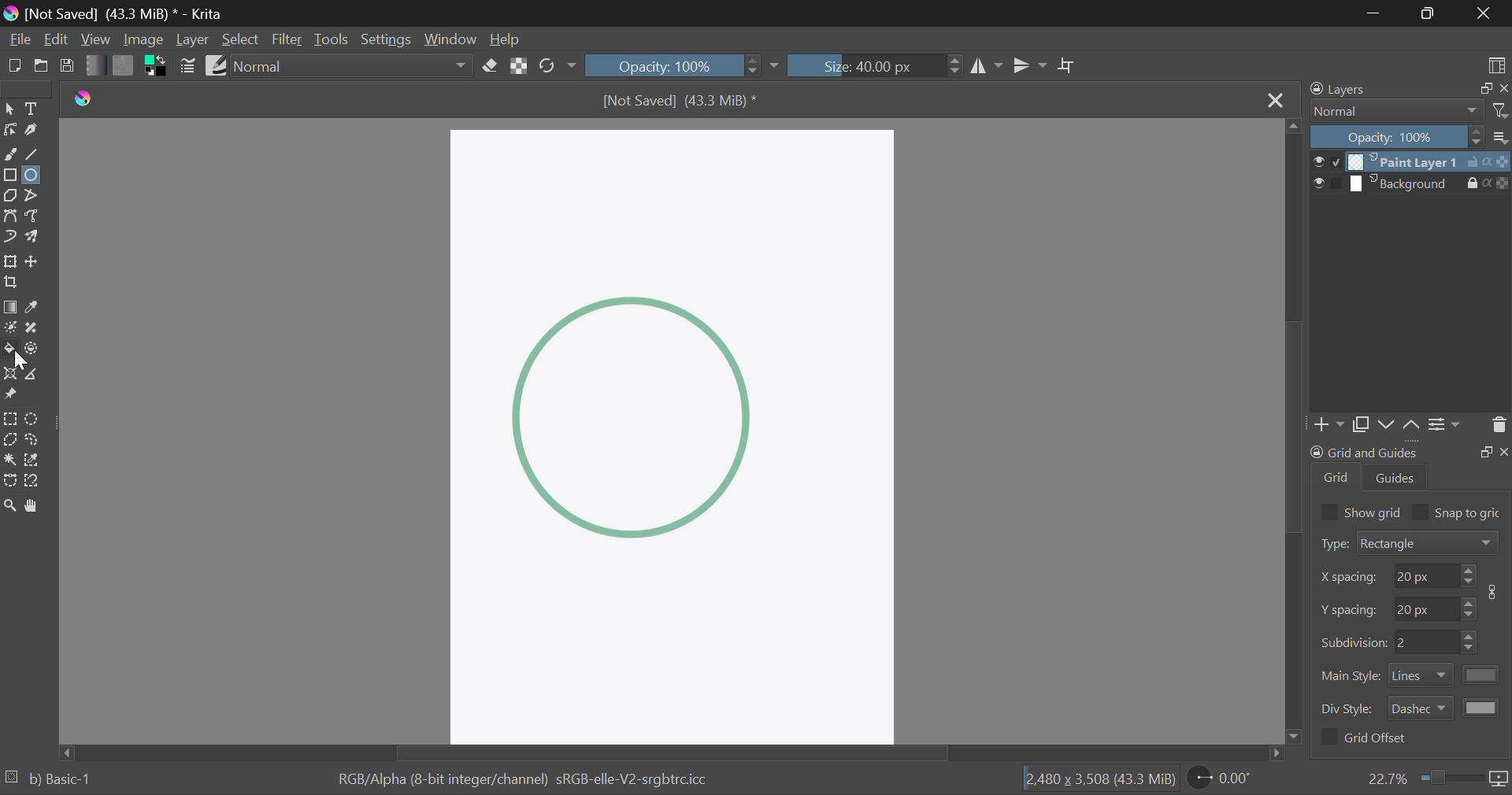 The height and width of the screenshot is (795, 1512). Describe the element at coordinates (11, 174) in the screenshot. I see `Rectangle` at that location.